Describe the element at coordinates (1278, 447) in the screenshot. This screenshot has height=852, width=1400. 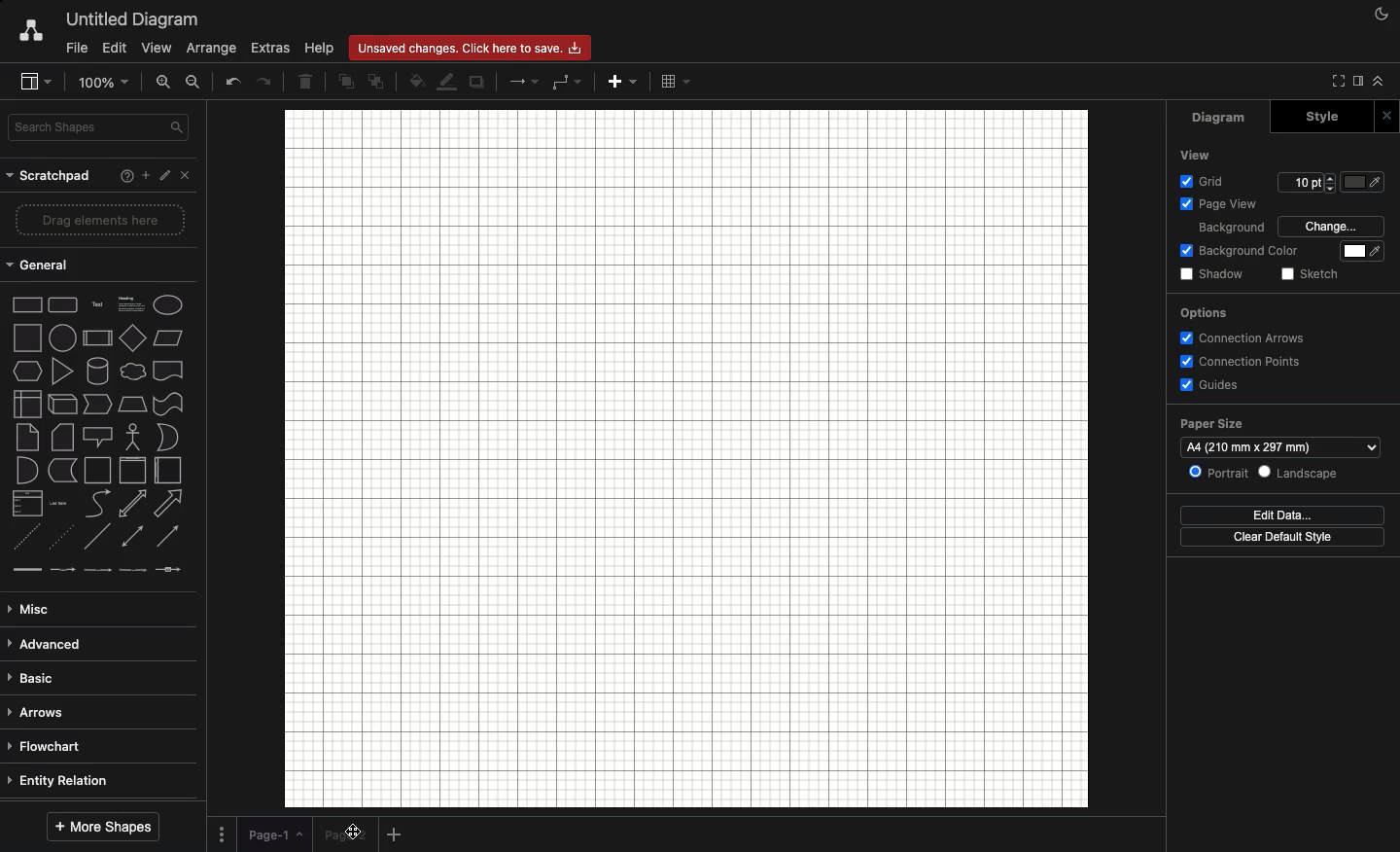
I see `a4 (210 mmx297 mm) ` at that location.